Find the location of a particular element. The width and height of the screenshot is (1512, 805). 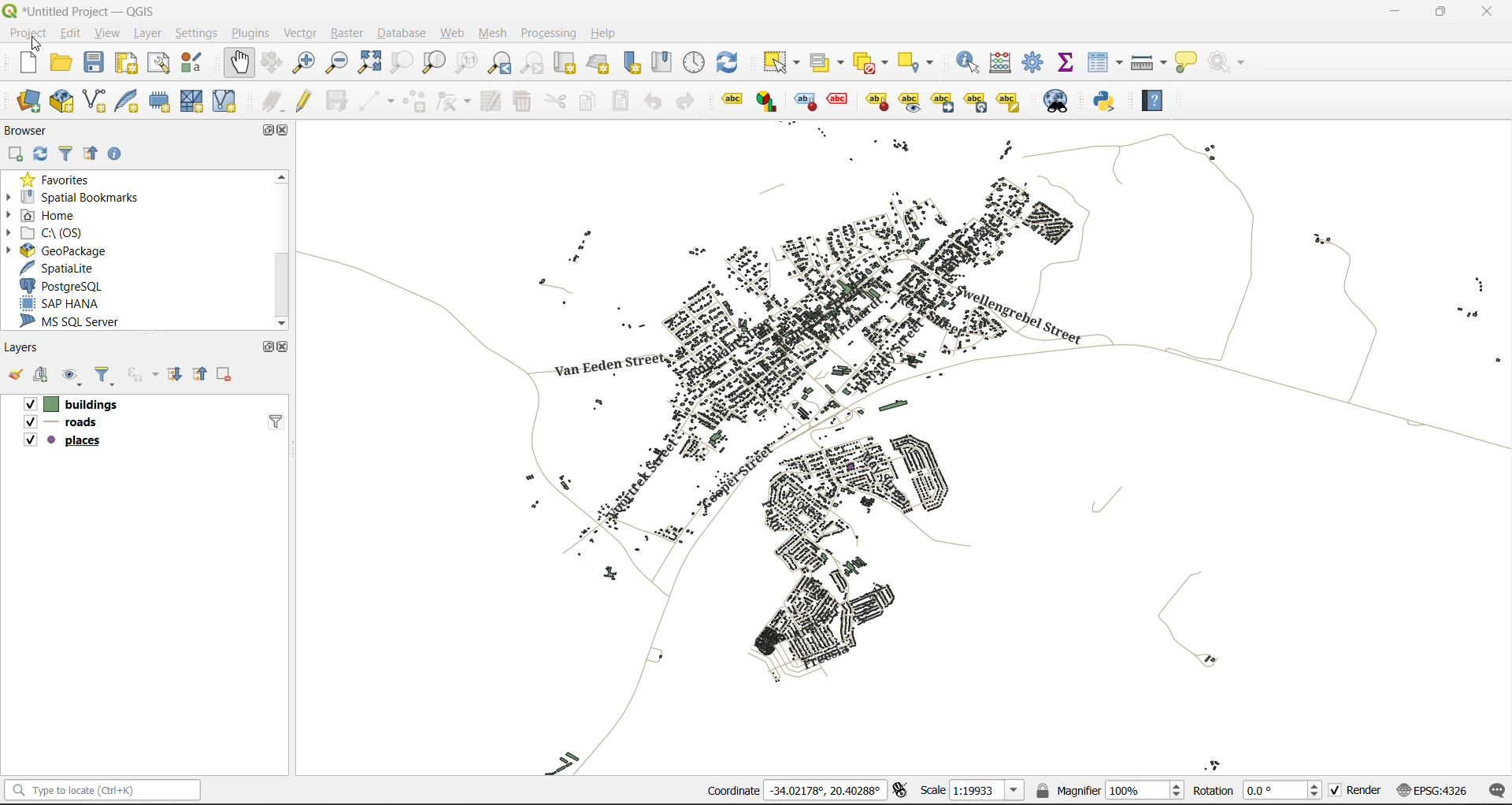

minimize is located at coordinates (1394, 12).